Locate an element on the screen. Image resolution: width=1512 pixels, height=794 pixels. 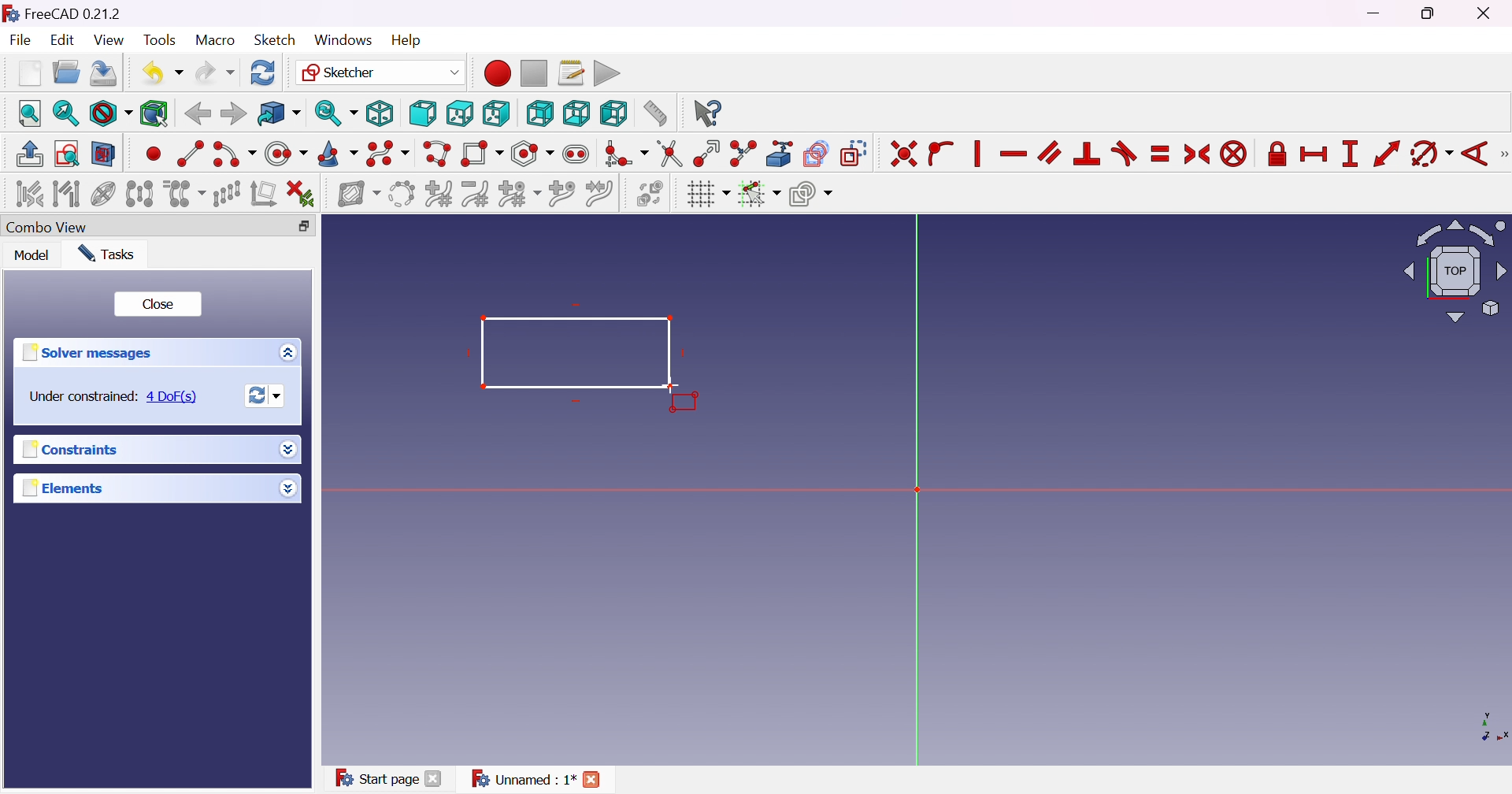
Create circle is located at coordinates (286, 154).